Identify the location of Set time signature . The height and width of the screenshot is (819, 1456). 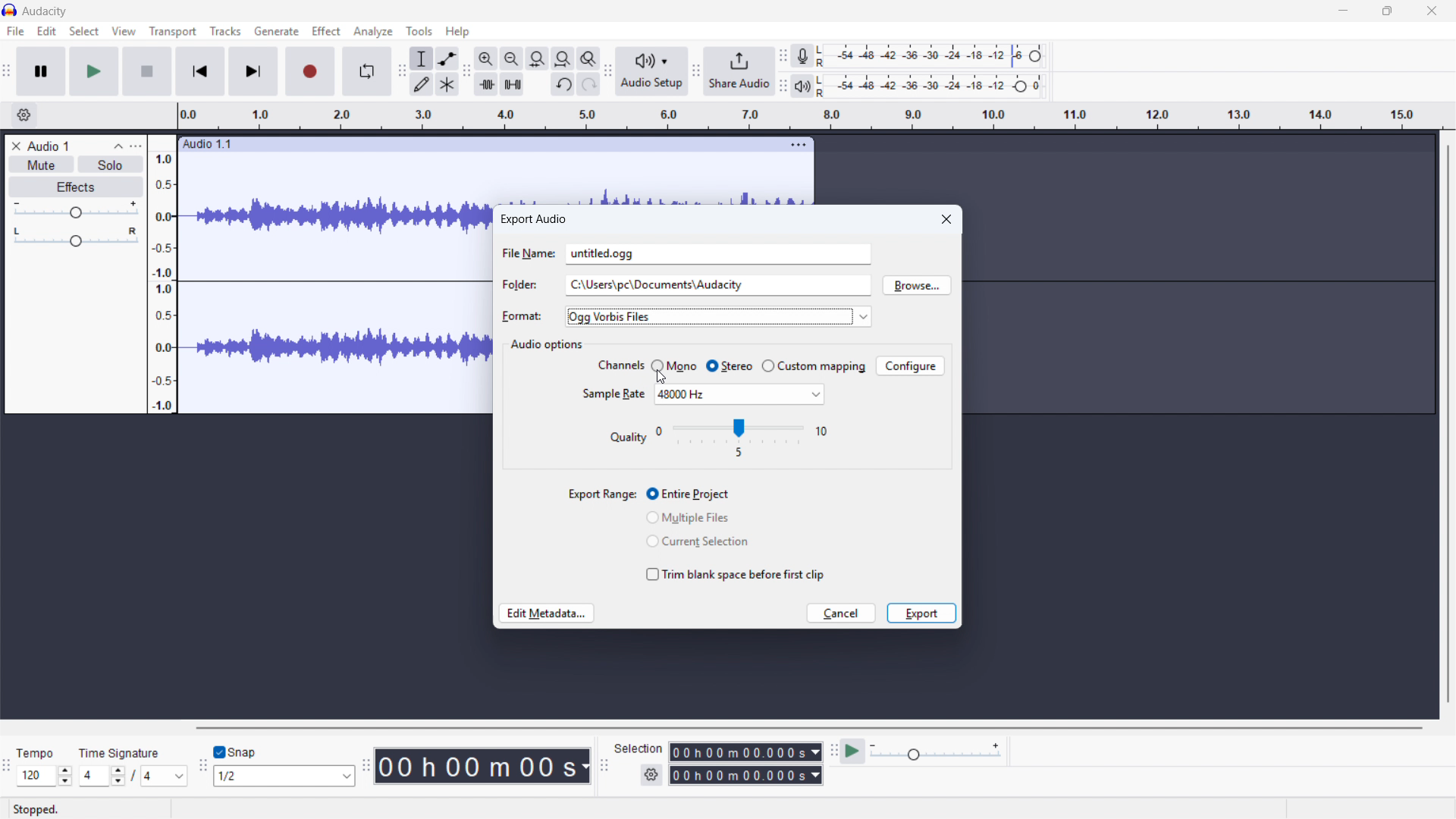
(104, 777).